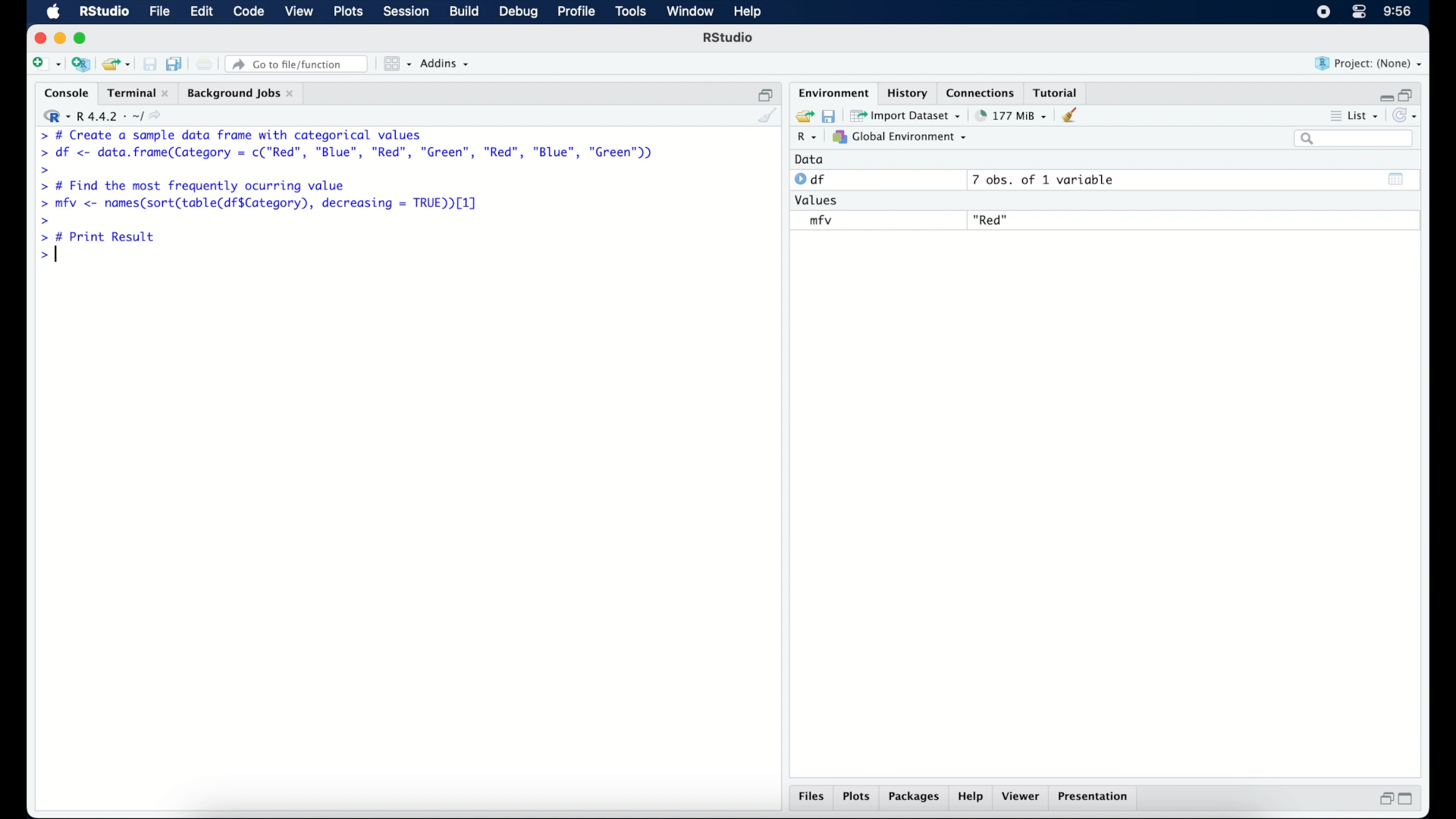  I want to click on > # Create a sample data frame with categorical values|, so click(252, 134).